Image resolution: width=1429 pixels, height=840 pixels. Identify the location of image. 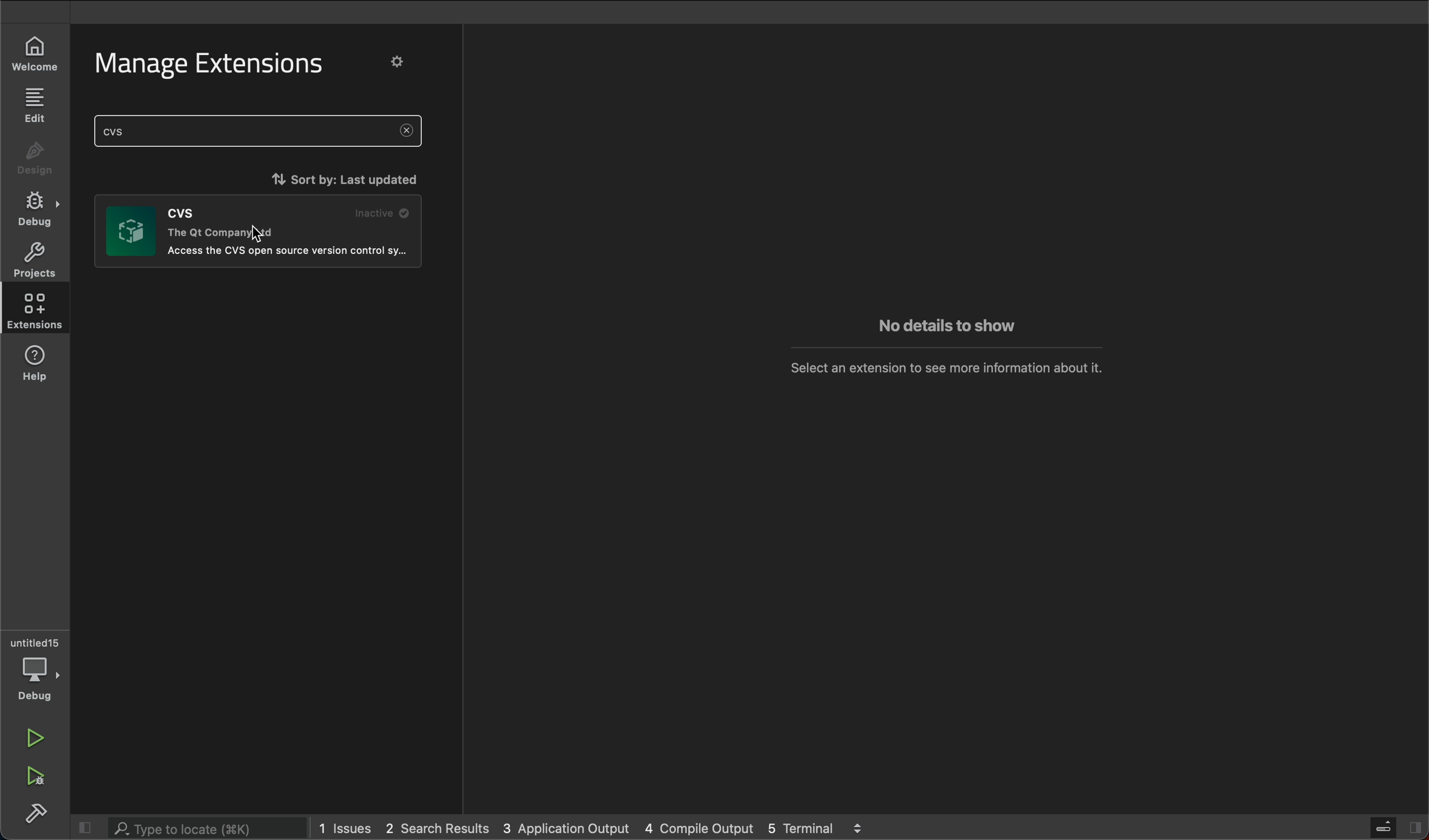
(132, 231).